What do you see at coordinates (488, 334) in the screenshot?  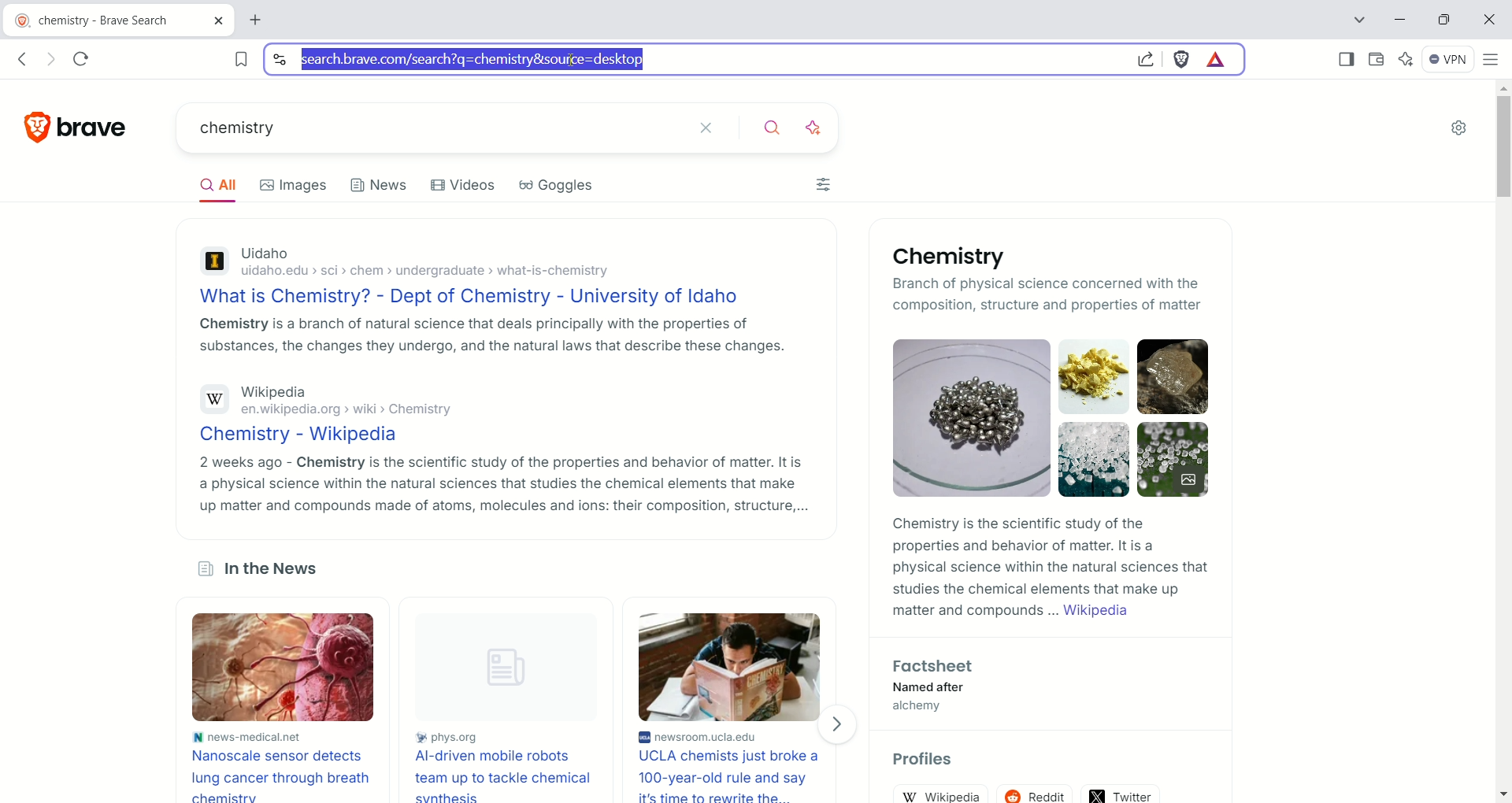 I see `Chemistry is a branch of natural science that deals principally with the properties of substances, the changes they undergo, and the natural laws that describe these changes.` at bounding box center [488, 334].